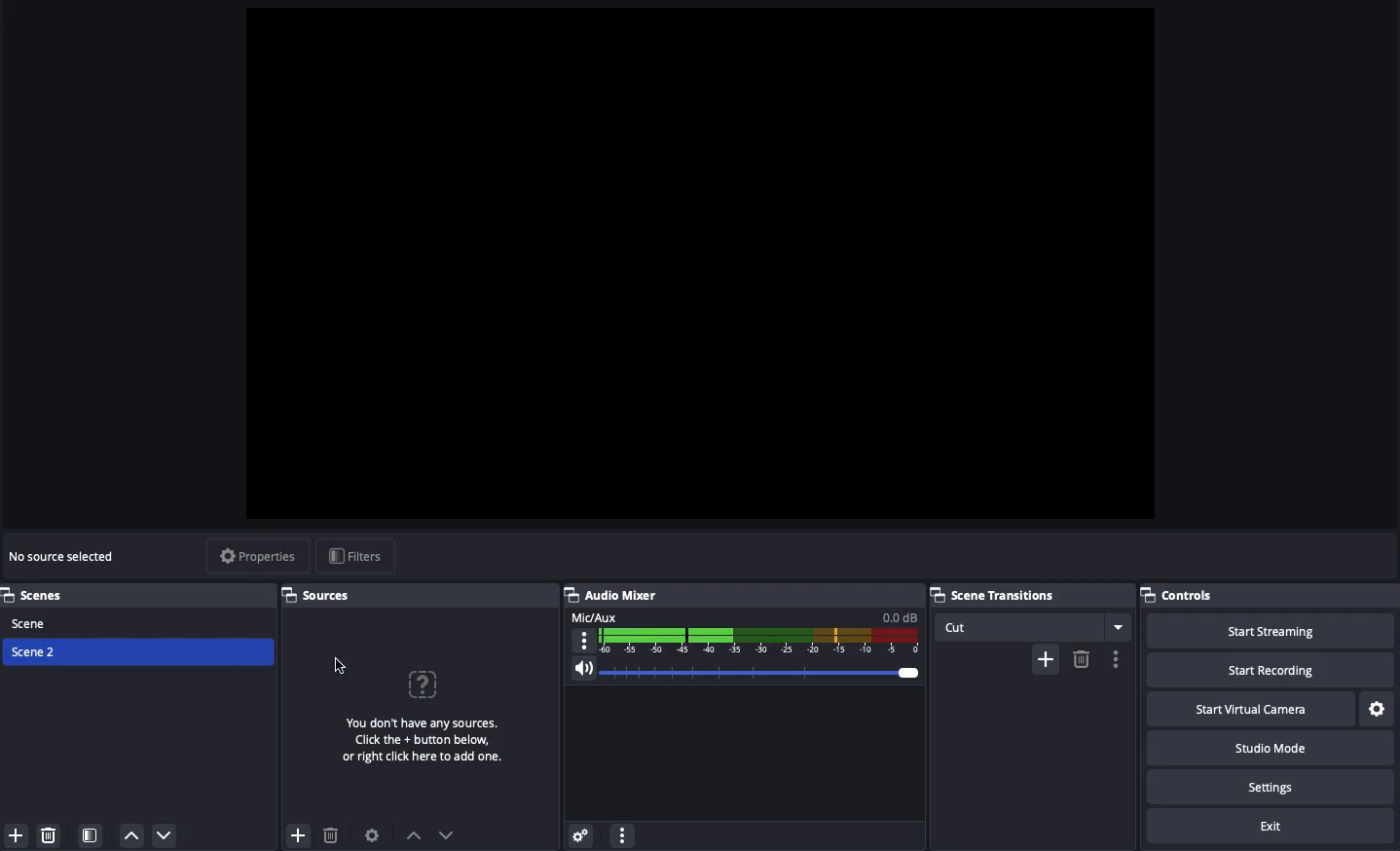 Image resolution: width=1400 pixels, height=851 pixels. Describe the element at coordinates (373, 832) in the screenshot. I see `Sources preference` at that location.